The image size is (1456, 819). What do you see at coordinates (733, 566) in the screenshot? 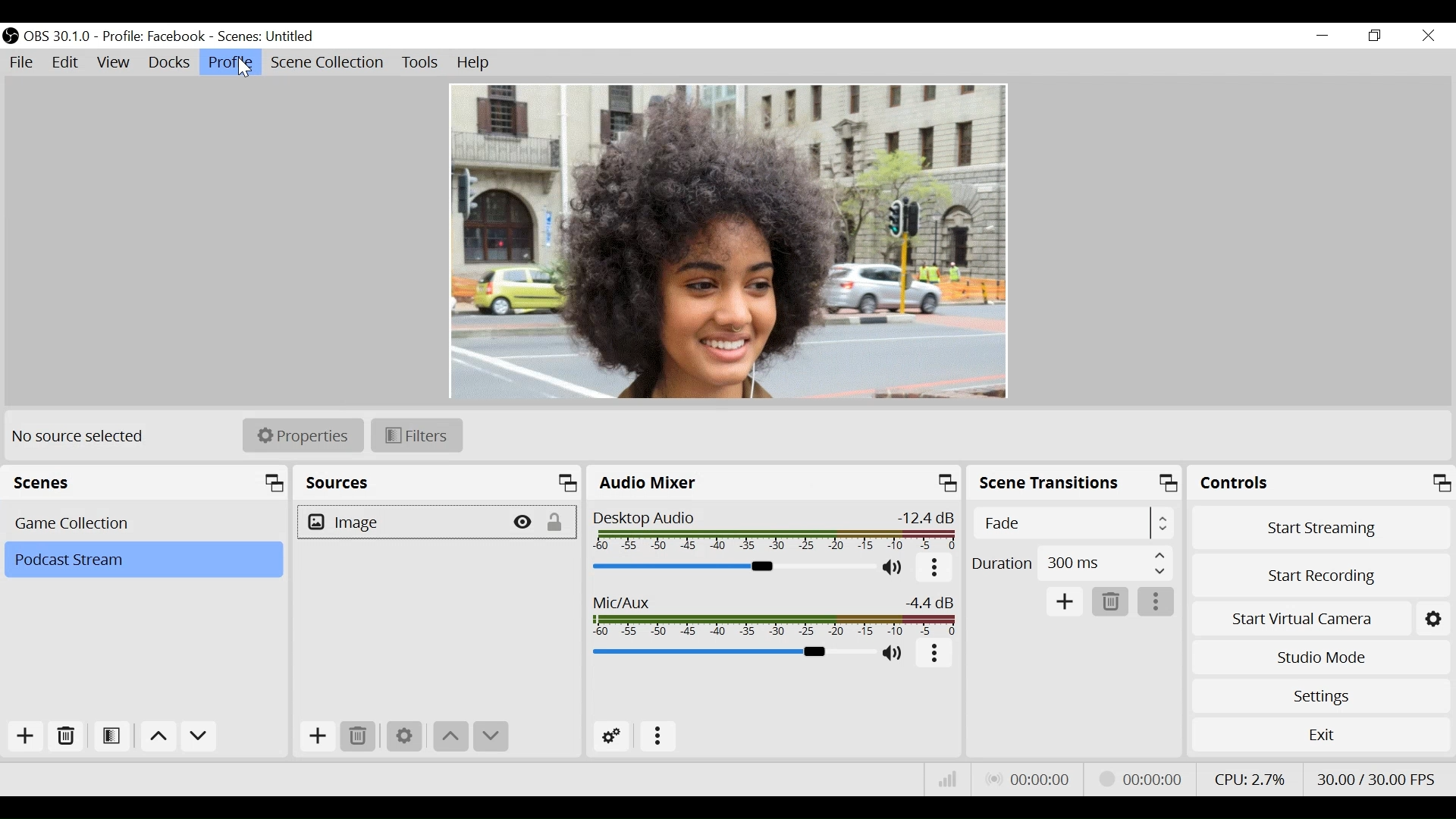
I see `Audio Mixer` at bounding box center [733, 566].